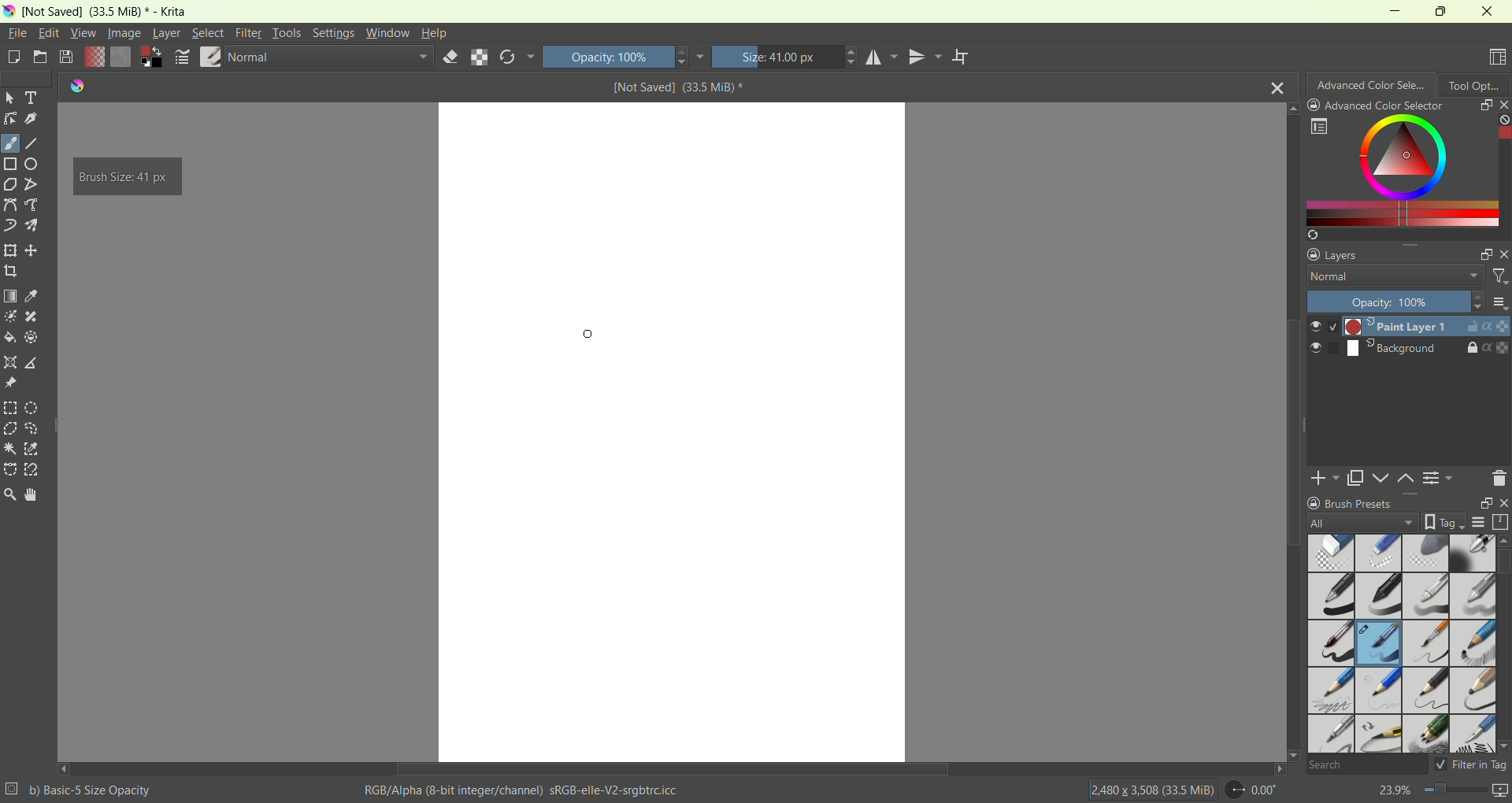  What do you see at coordinates (623, 56) in the screenshot?
I see `Opacity 100%` at bounding box center [623, 56].